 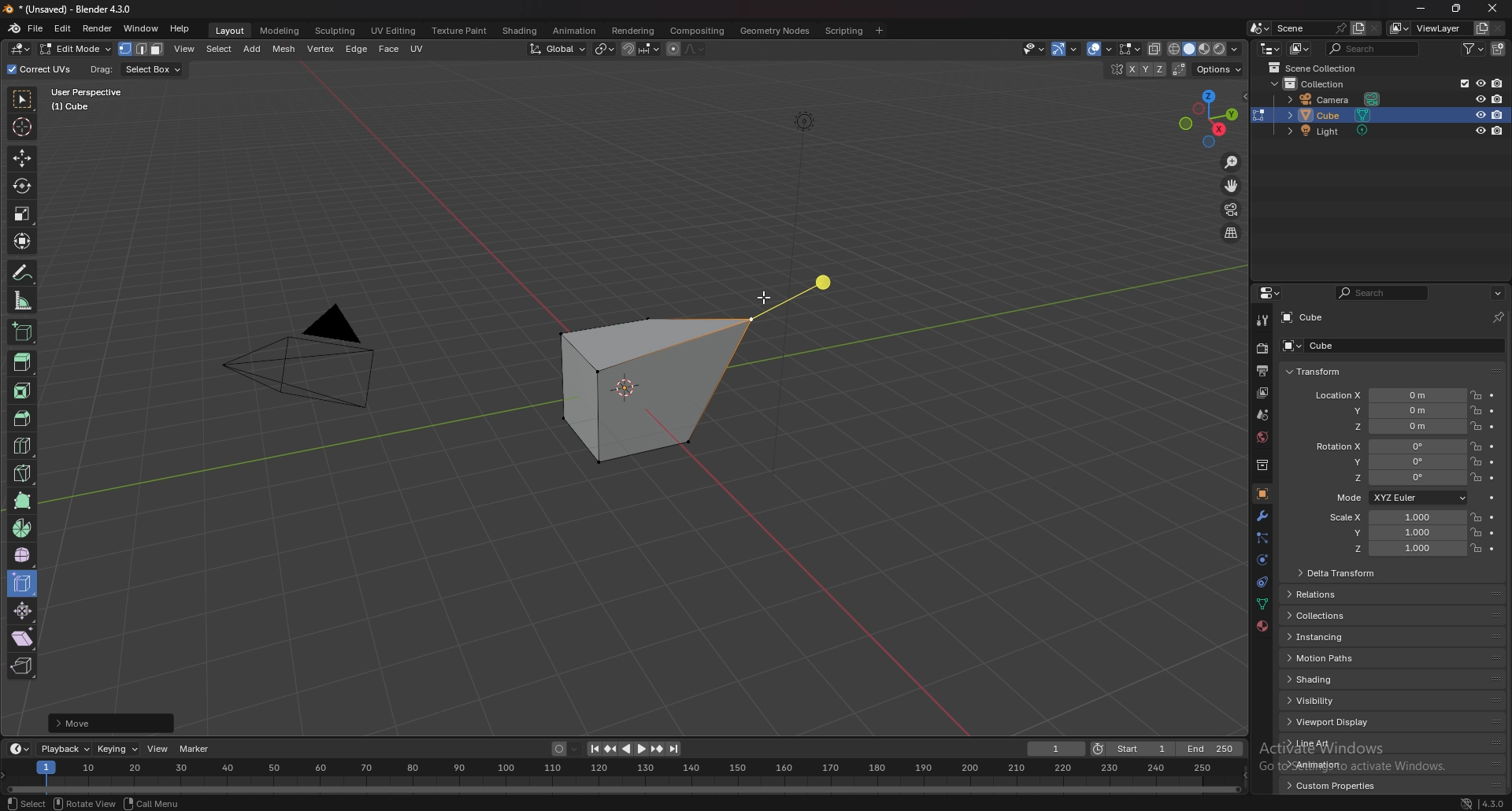 I want to click on jump to endpoint, so click(x=592, y=749).